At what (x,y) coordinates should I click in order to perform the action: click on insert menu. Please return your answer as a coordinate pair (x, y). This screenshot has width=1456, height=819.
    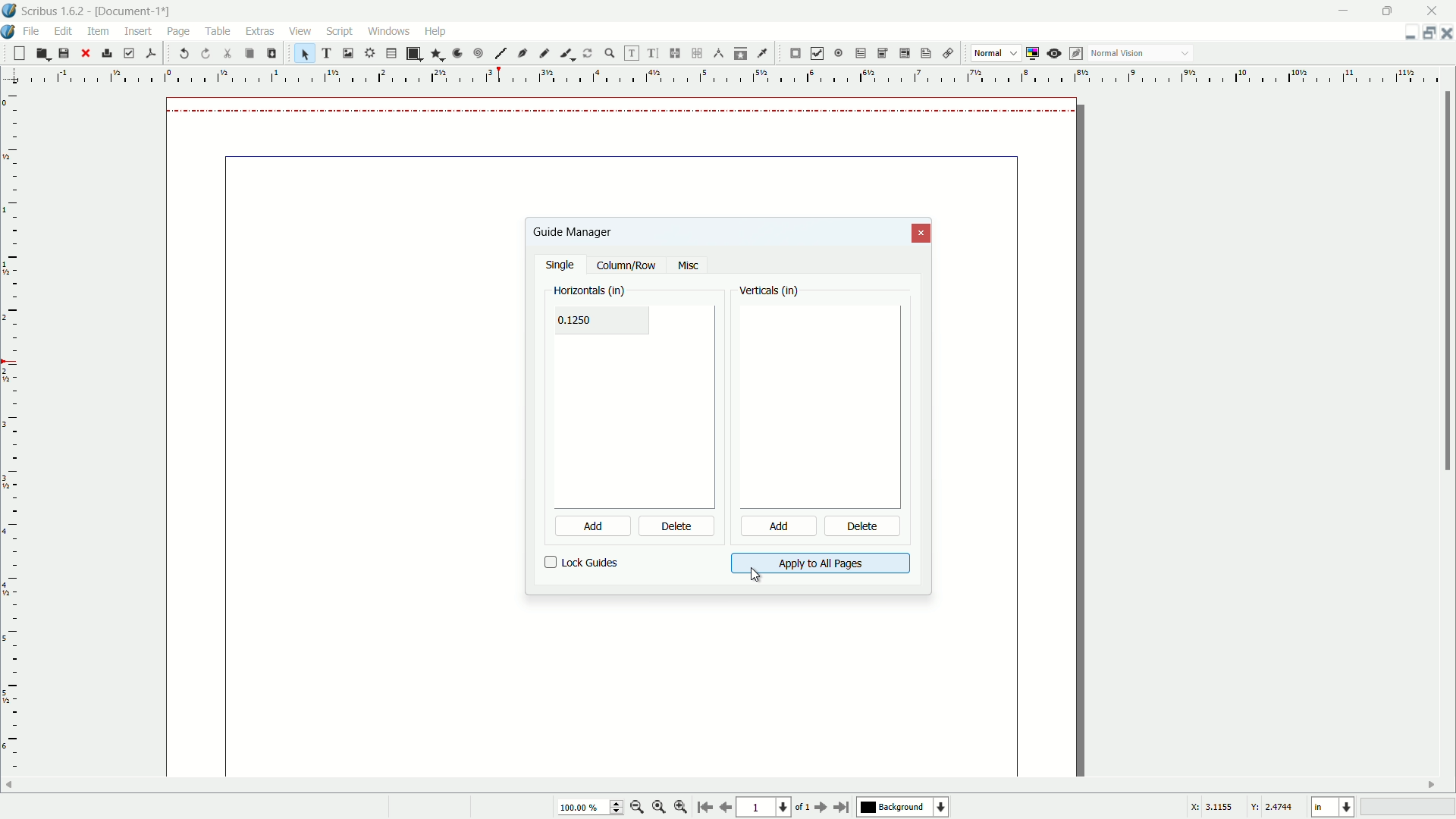
    Looking at the image, I should click on (139, 30).